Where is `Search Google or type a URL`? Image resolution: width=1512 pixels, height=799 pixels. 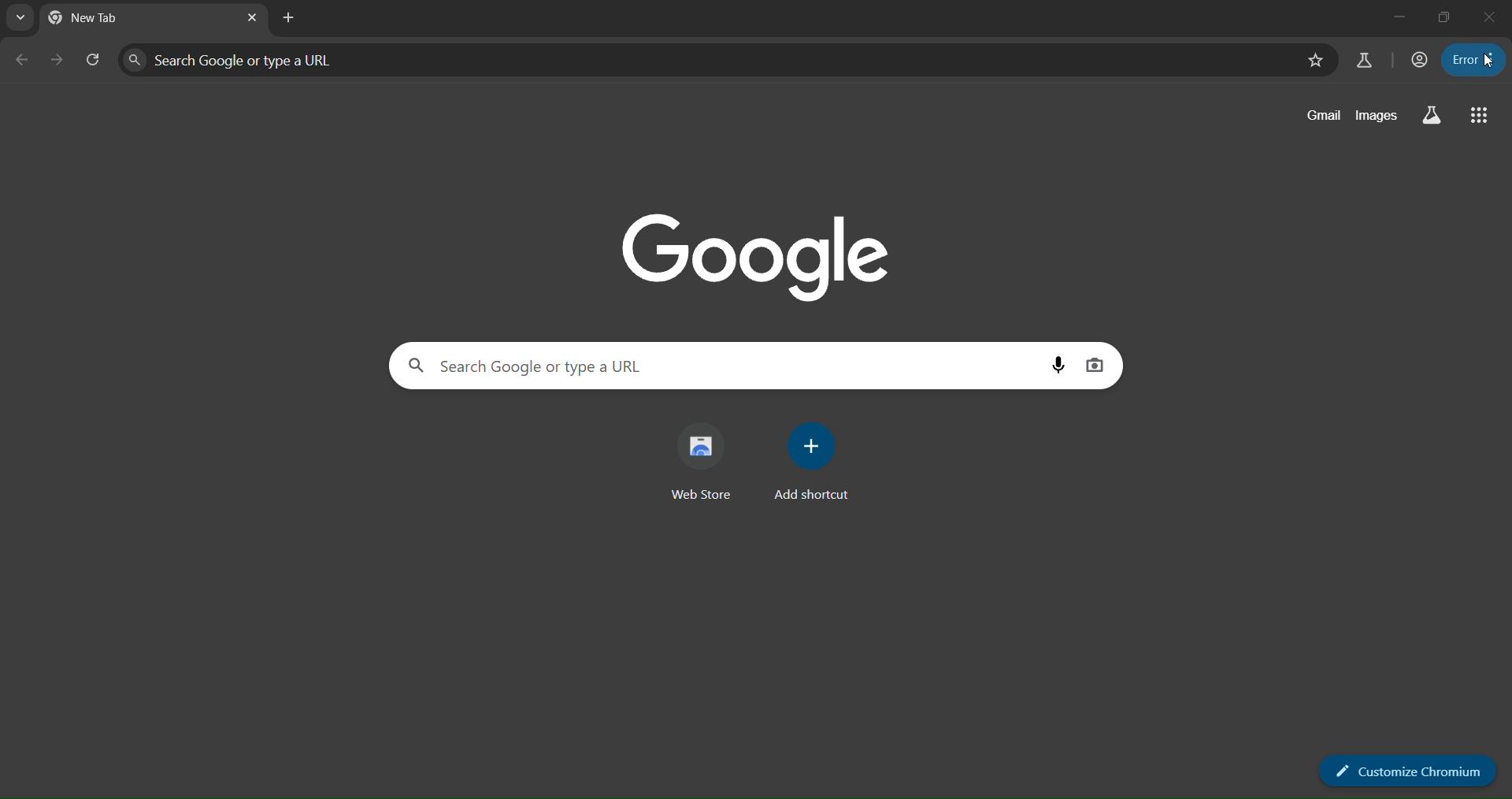 Search Google or type a URL is located at coordinates (702, 59).